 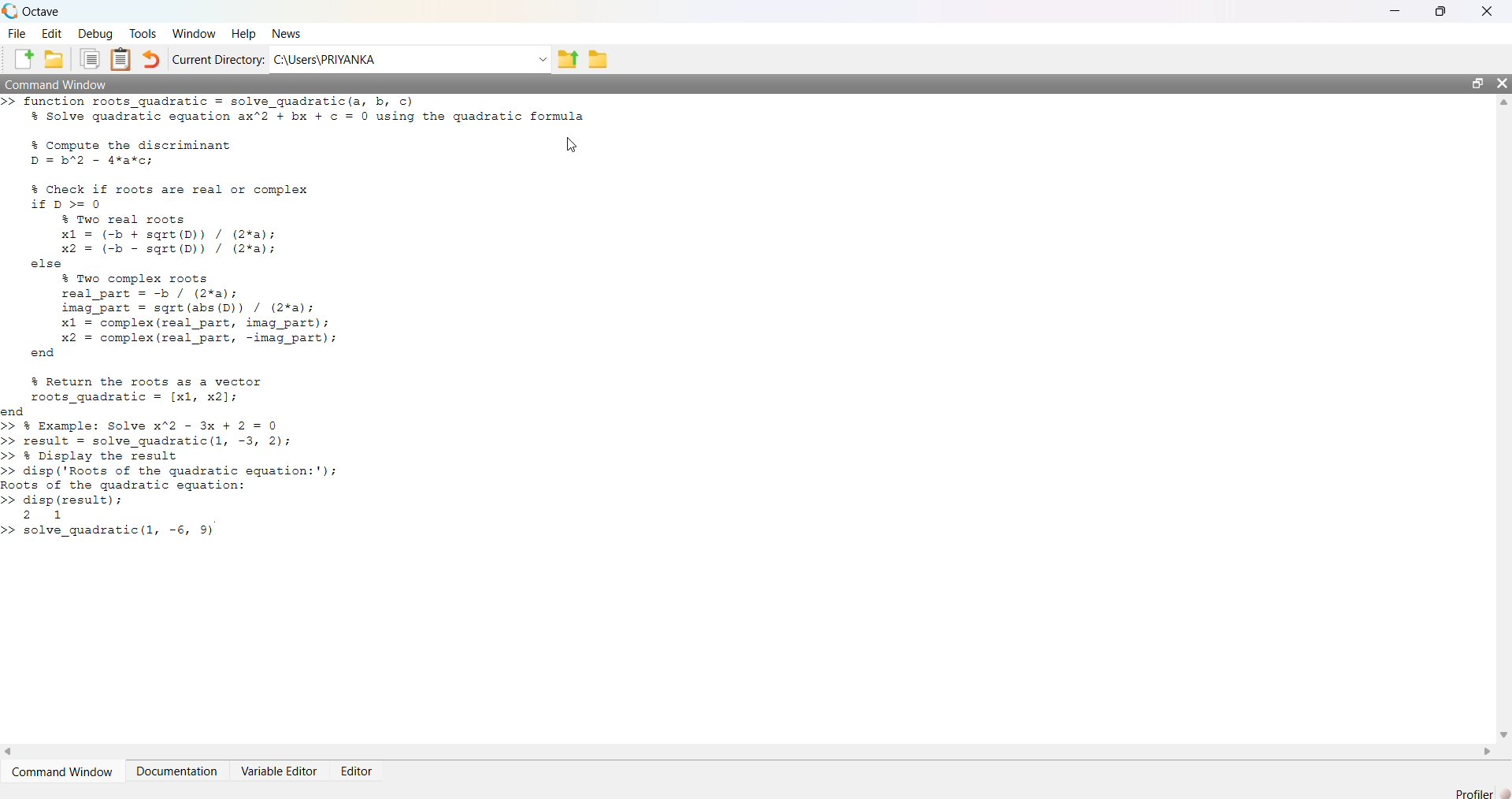 I want to click on >> function roots_quadratic = solve_quadratic(a, b, c)
% Solve quadratic equation ax*2 + bx + ¢ = 0 using the quadratic formula
% Compute the discriminant [N
D = b"2 - 4*a¥e;
% Check if roots are real or complex
if D>=0
% Two real roots
x1 = (-b + sqrt(D)) / (2%a);
x2 = (-b - sqre(D)) / (2*a);
else
% Two complex roots
real part = -b / (2a);
imag part = sqrt(abs(D)) / (2*a);
x1 = complex (real part, imag_part);
x2 = complex (real part, -imag_part);
end
% Return the roots as a vector
roots_quadratic = [x1, x2];
end
> & Example: Solve x°2 - 3x + 2 = 0
>> result = solve_guadratic(l, -3, 2);
>> & Display the result
>> disp ('Roots of the quadratic equation:');
Roots of the quadratic equation:
>> disp (result);
2 1
>> solve_guadratic(l, -6, 9), so click(x=311, y=325).